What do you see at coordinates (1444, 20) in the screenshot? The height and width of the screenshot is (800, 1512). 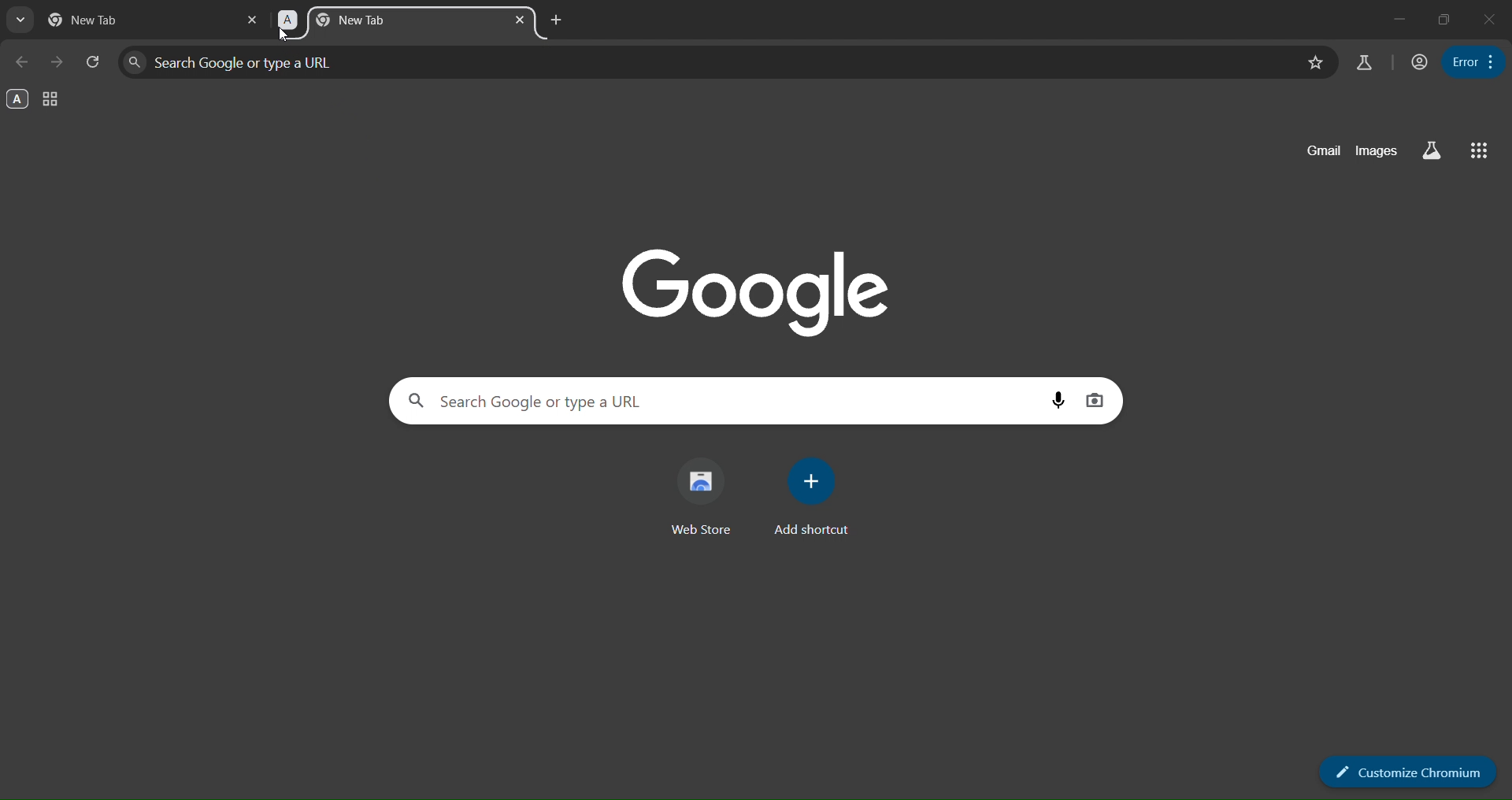 I see `restore down` at bounding box center [1444, 20].